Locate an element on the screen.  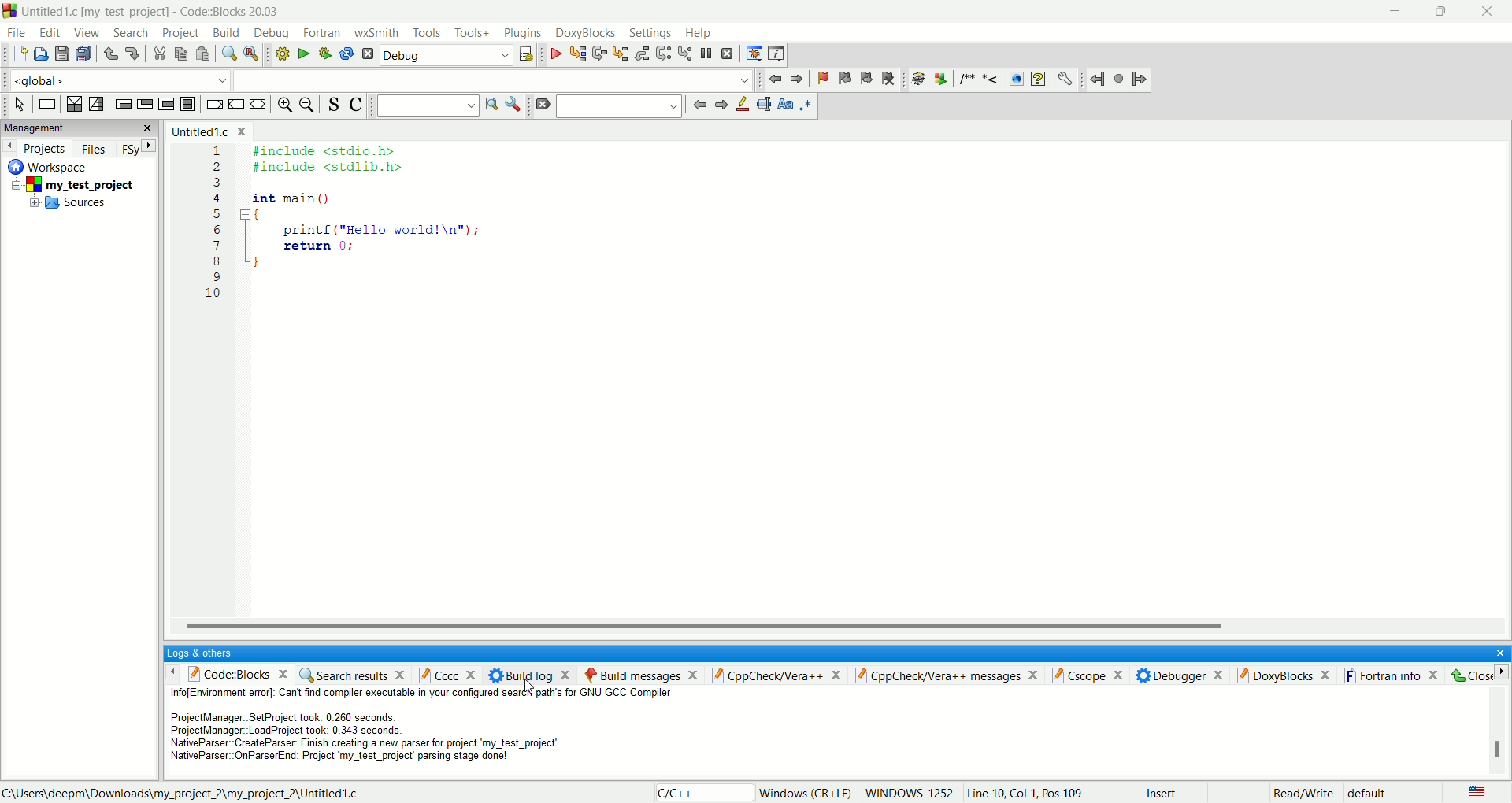
step into is located at coordinates (621, 53).